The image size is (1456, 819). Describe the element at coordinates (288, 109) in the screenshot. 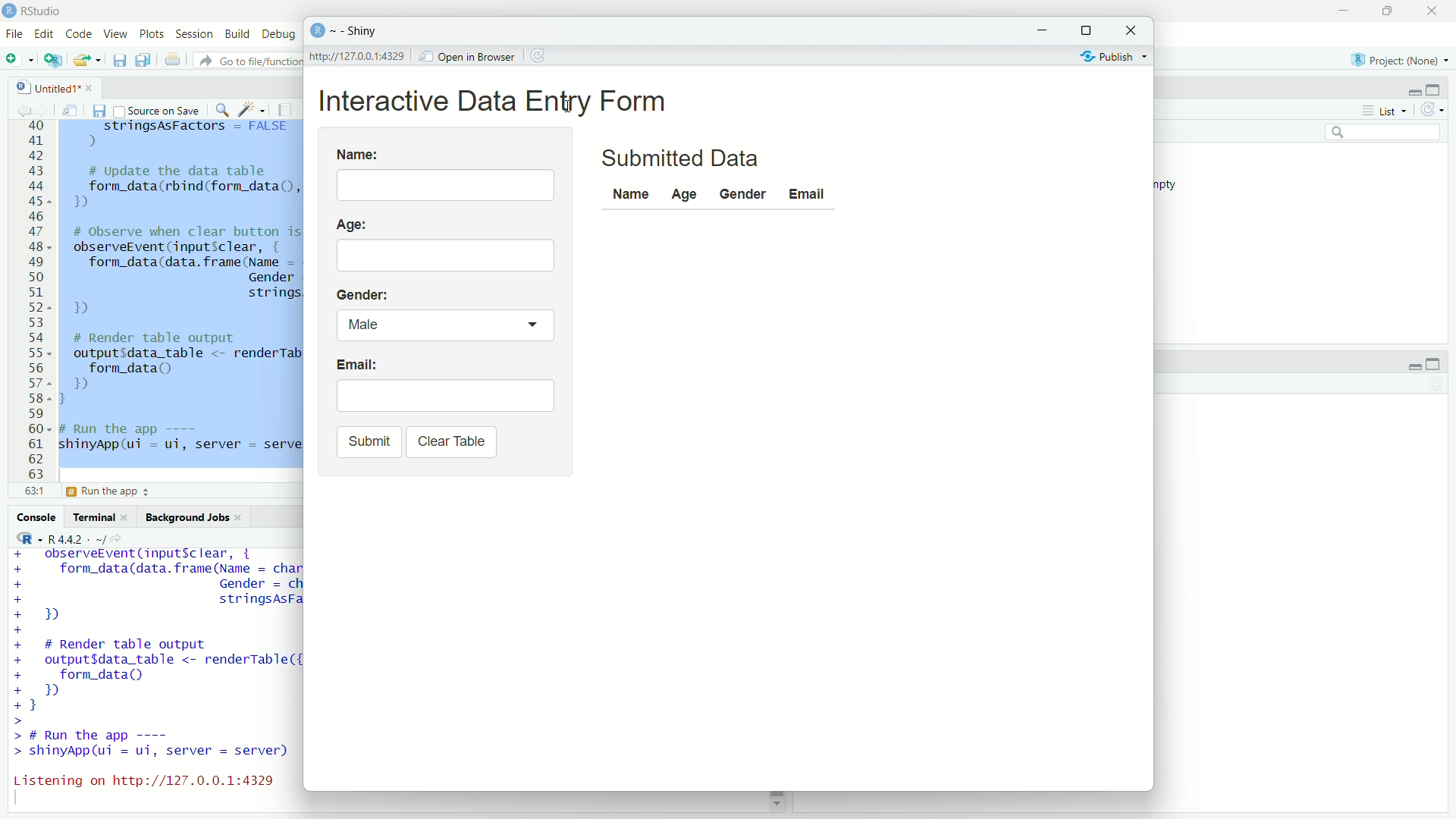

I see `compile report` at that location.